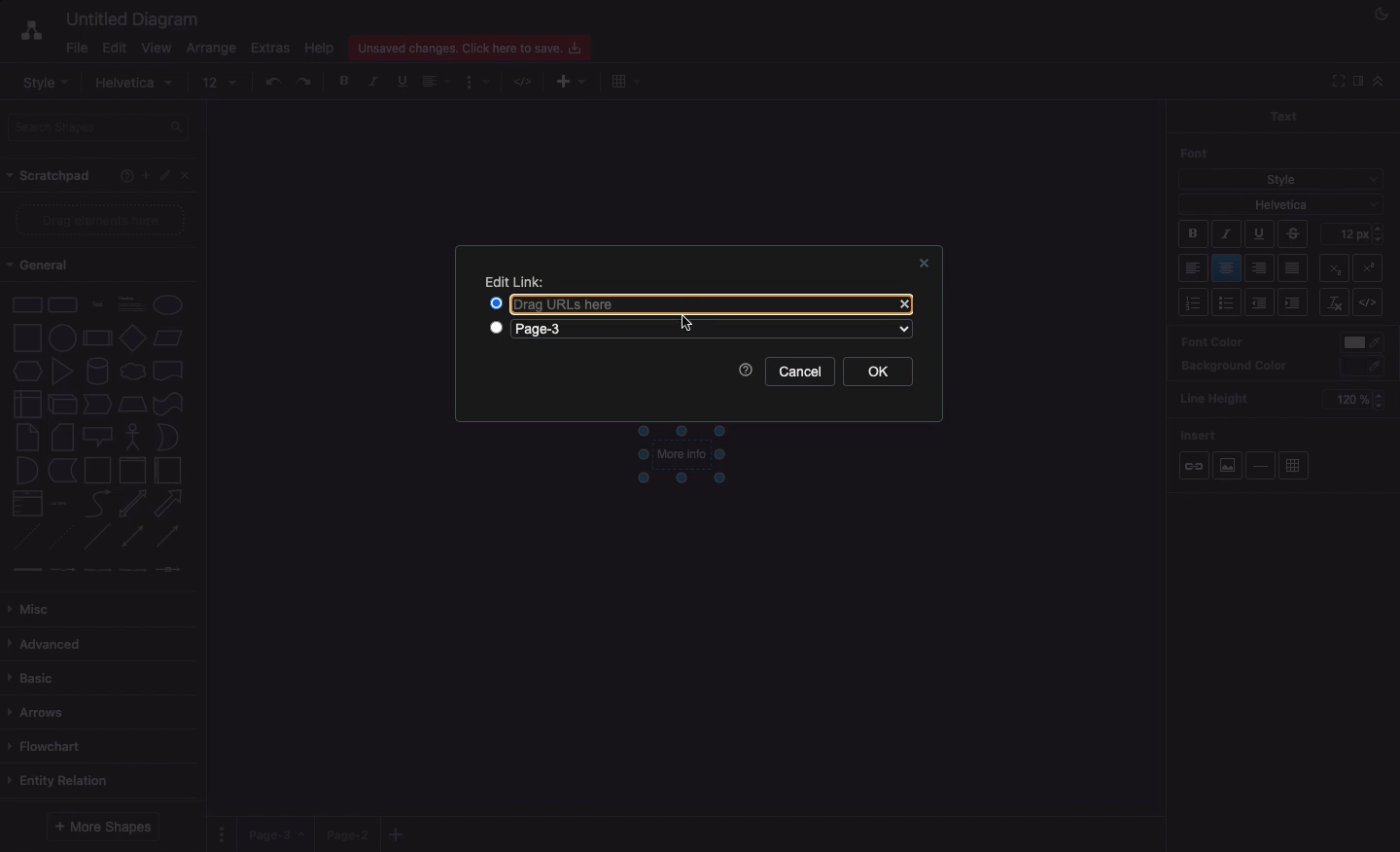 Image resolution: width=1400 pixels, height=852 pixels. I want to click on Underline, so click(1258, 235).